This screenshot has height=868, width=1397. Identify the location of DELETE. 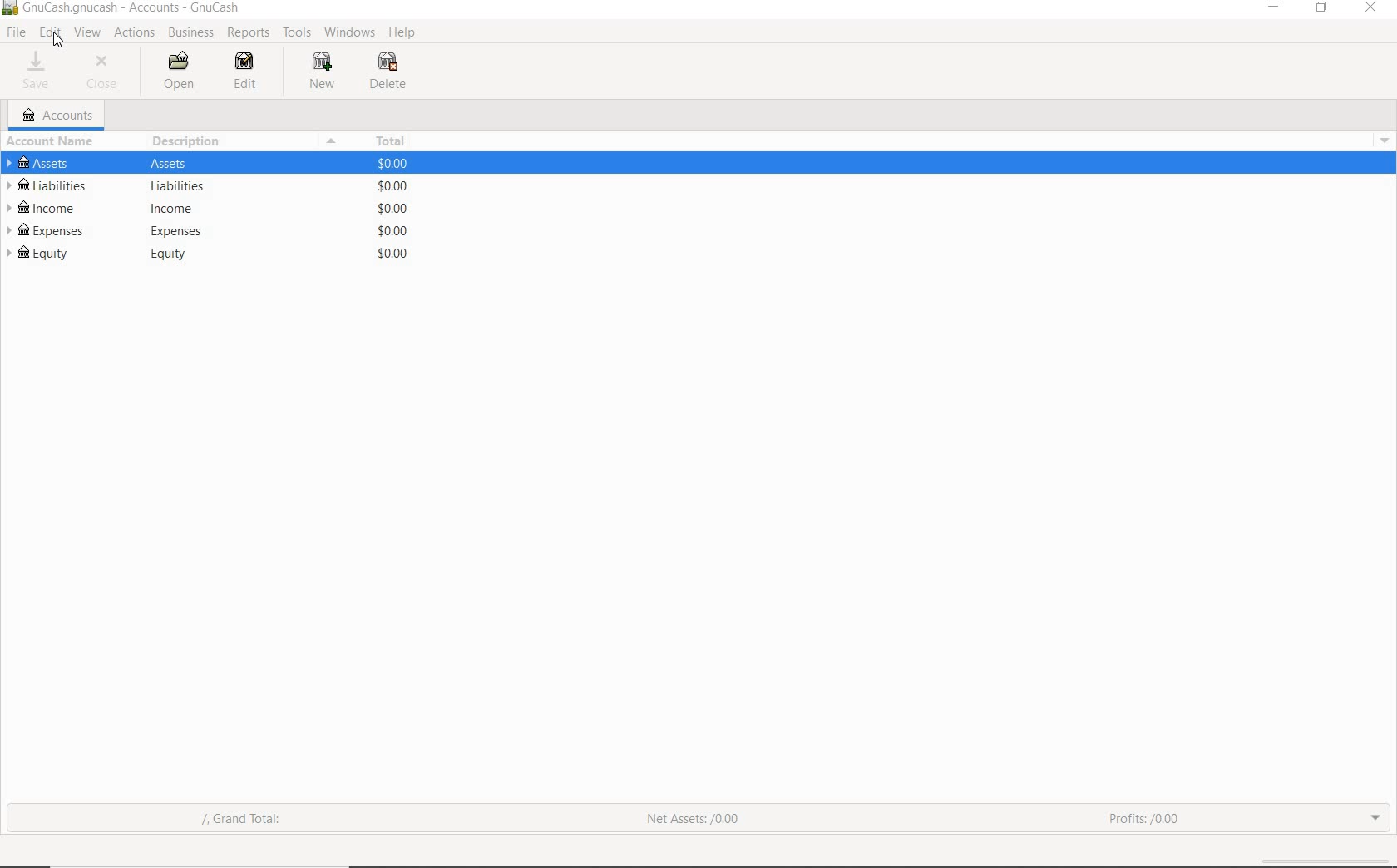
(392, 71).